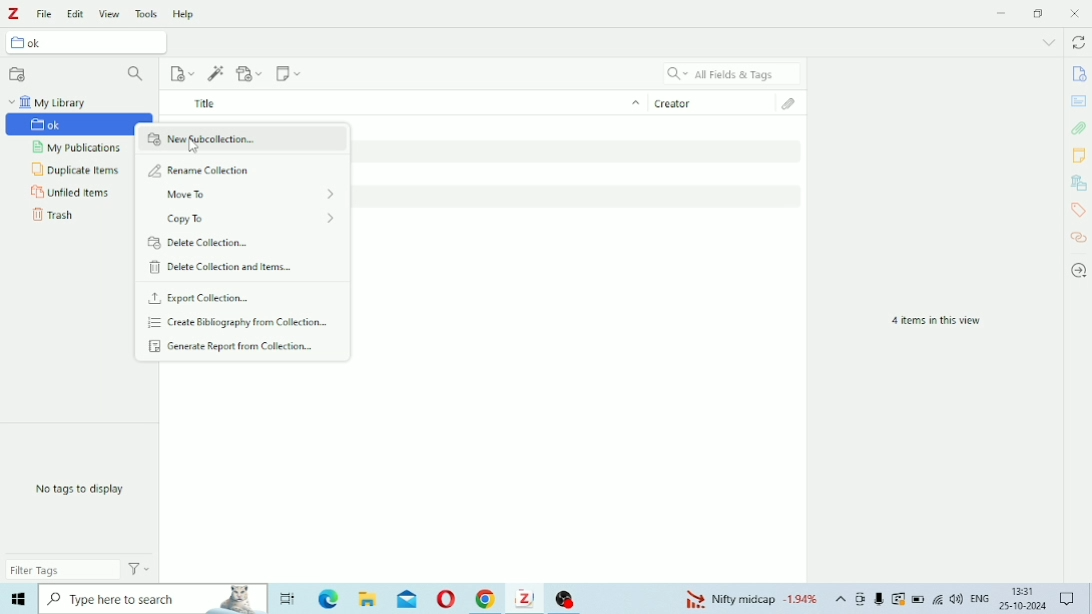  What do you see at coordinates (76, 170) in the screenshot?
I see `Duplicate Items` at bounding box center [76, 170].